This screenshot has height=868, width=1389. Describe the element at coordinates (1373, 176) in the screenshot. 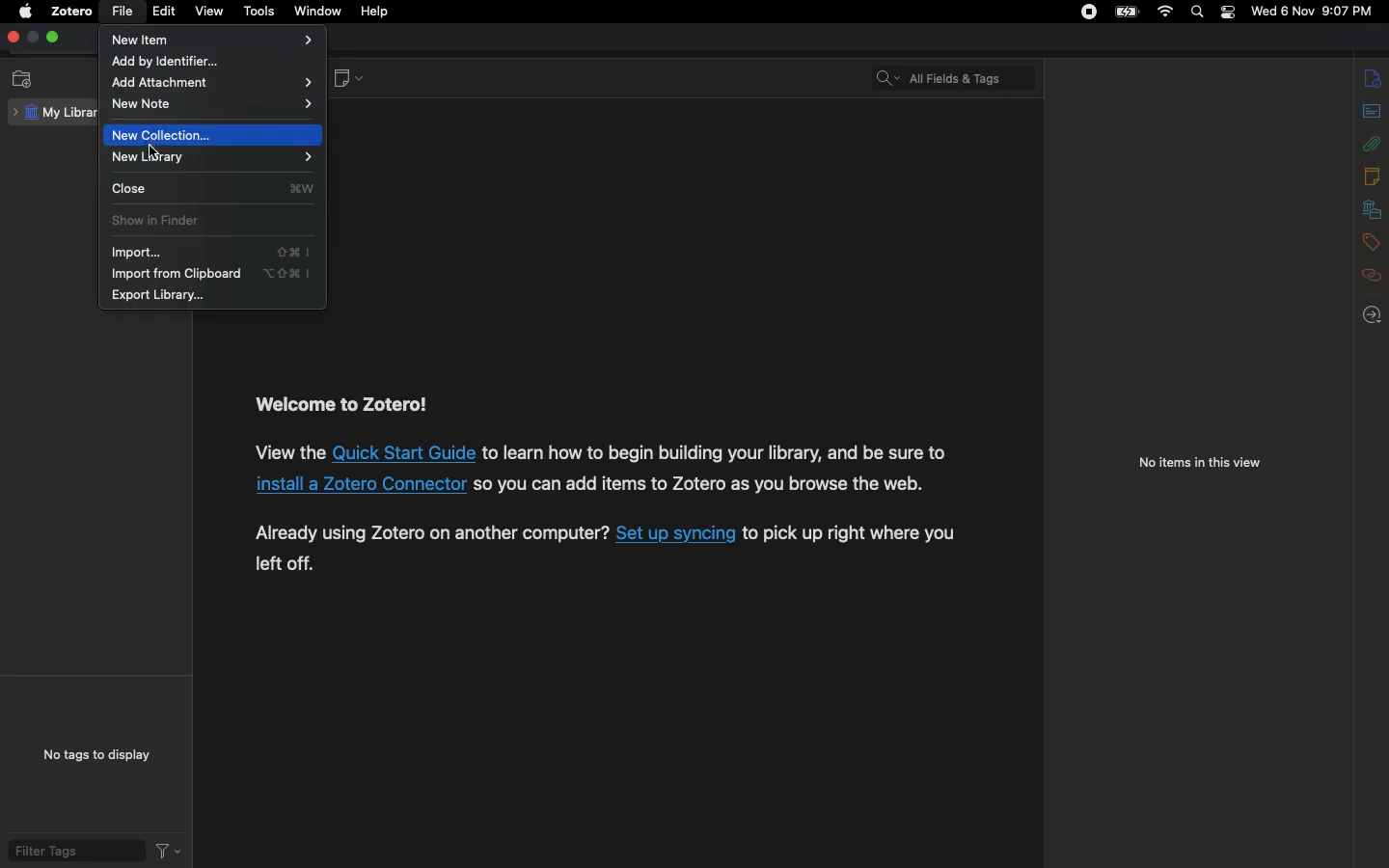

I see `Notes` at that location.